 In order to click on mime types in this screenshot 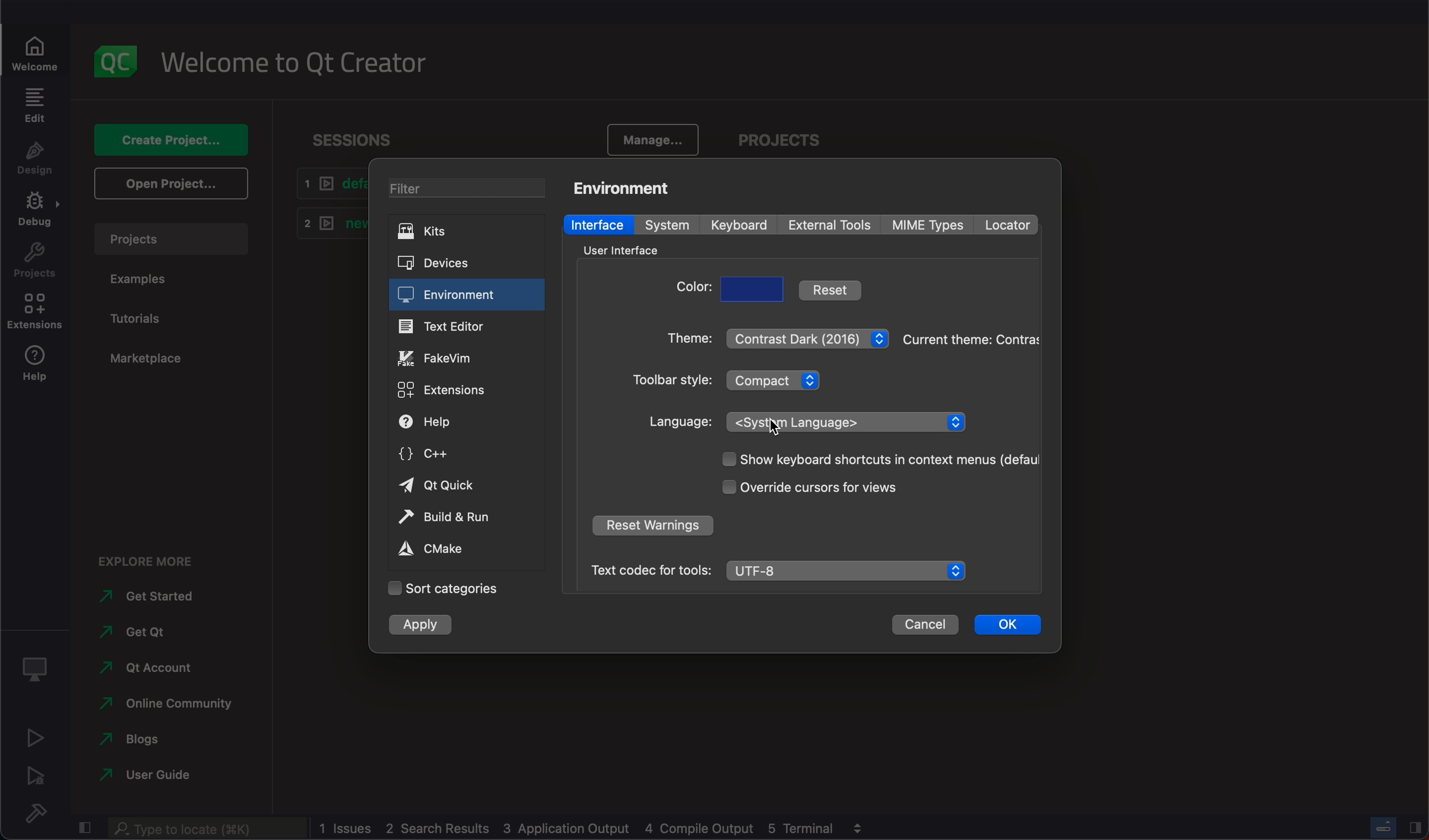, I will do `click(932, 224)`.